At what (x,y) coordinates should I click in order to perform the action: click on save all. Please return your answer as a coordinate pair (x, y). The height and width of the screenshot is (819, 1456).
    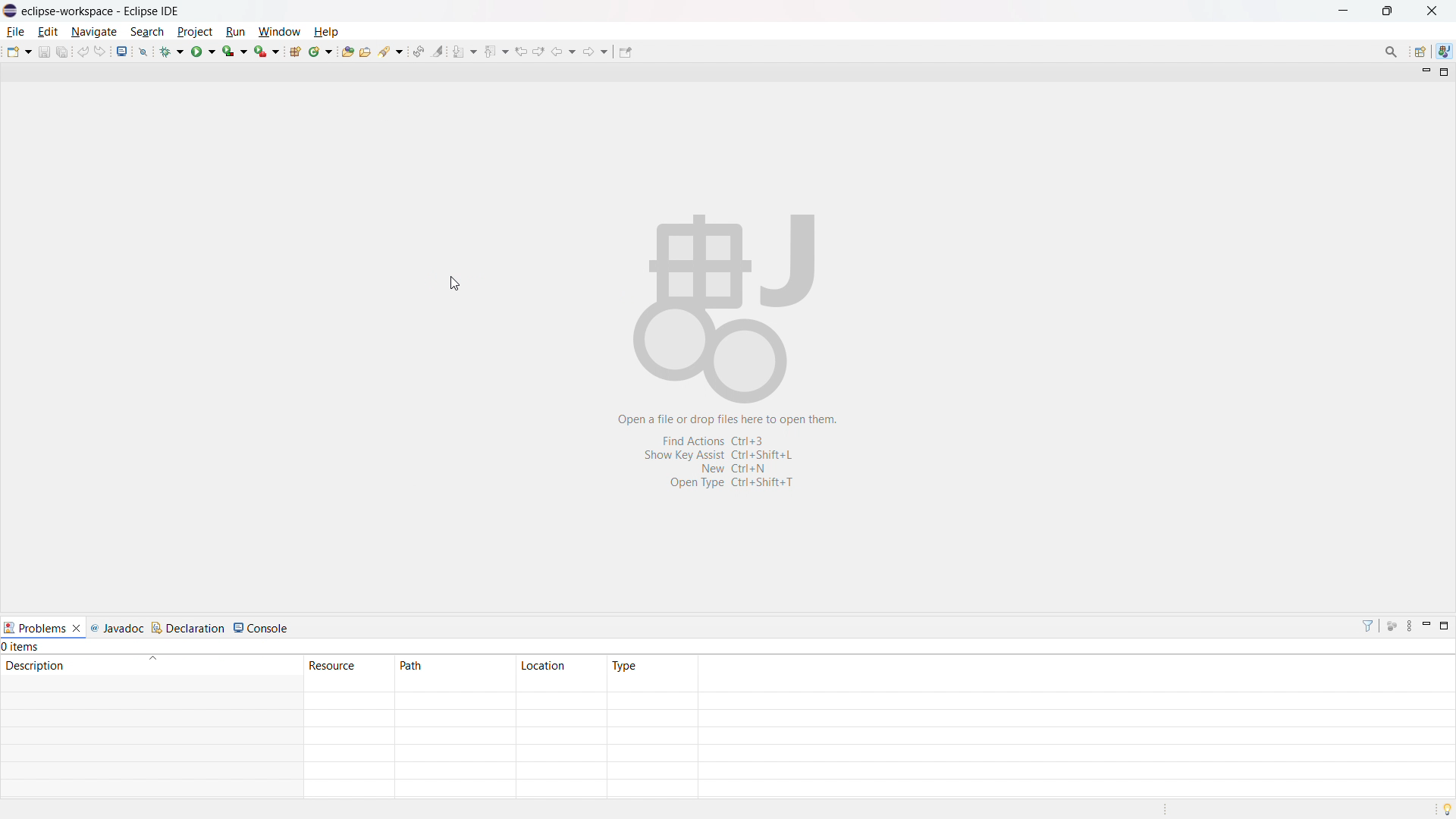
    Looking at the image, I should click on (62, 52).